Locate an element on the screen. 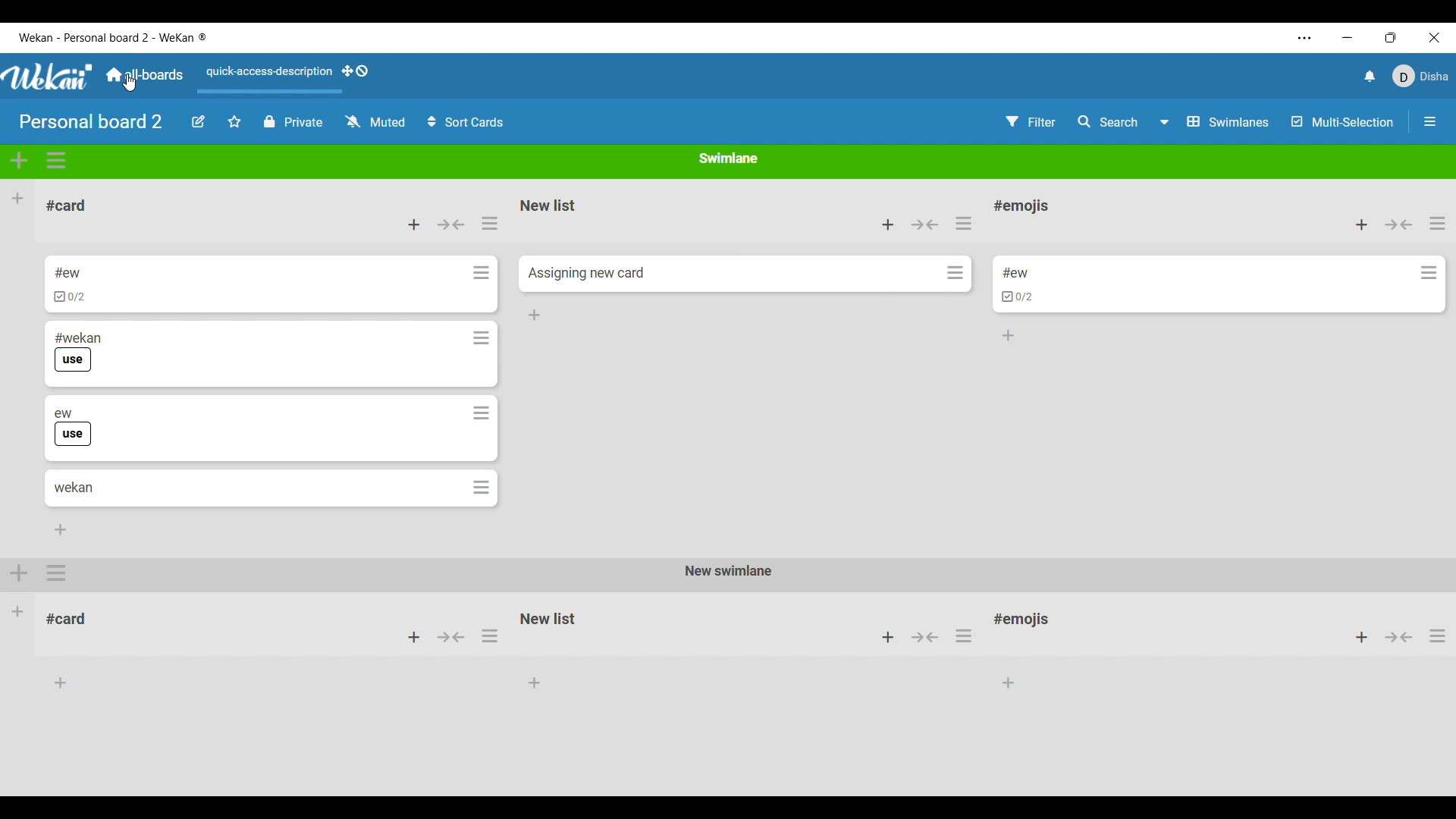 Image resolution: width=1456 pixels, height=819 pixels. add is located at coordinates (1009, 685).